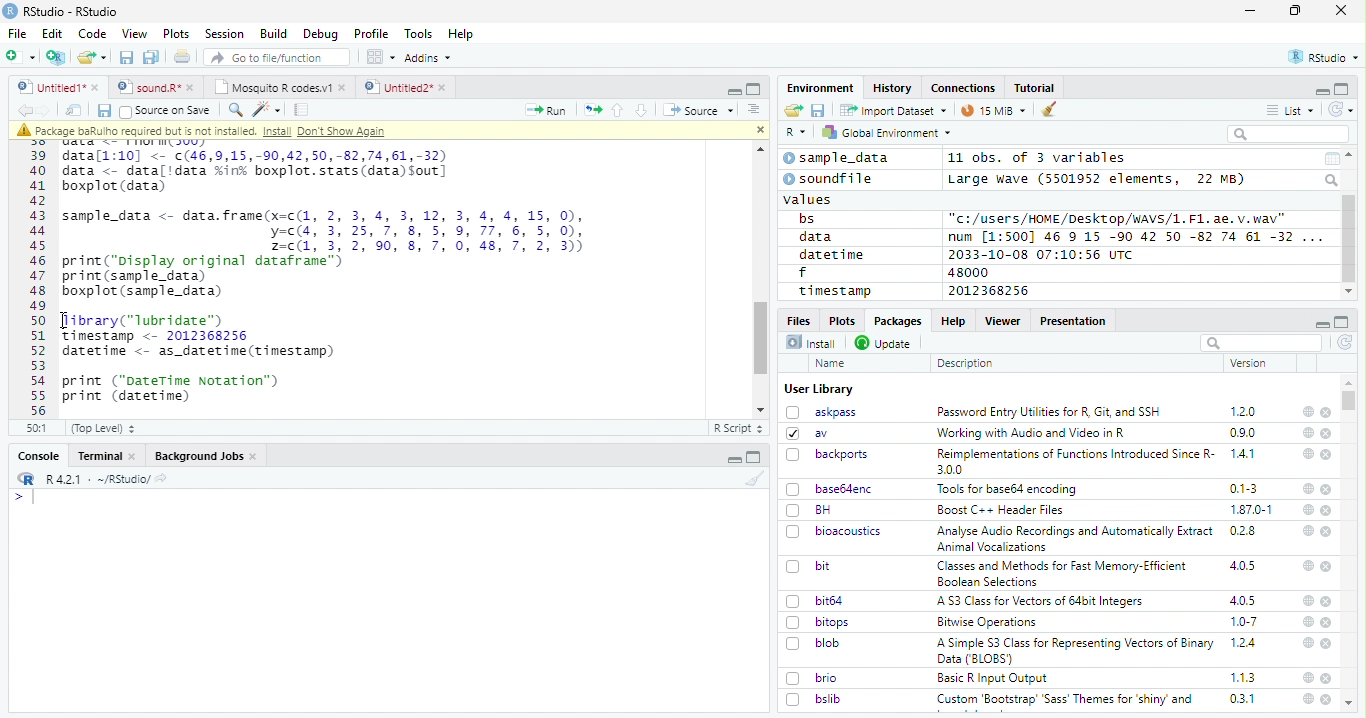 The image size is (1366, 718). Describe the element at coordinates (1328, 602) in the screenshot. I see `close` at that location.